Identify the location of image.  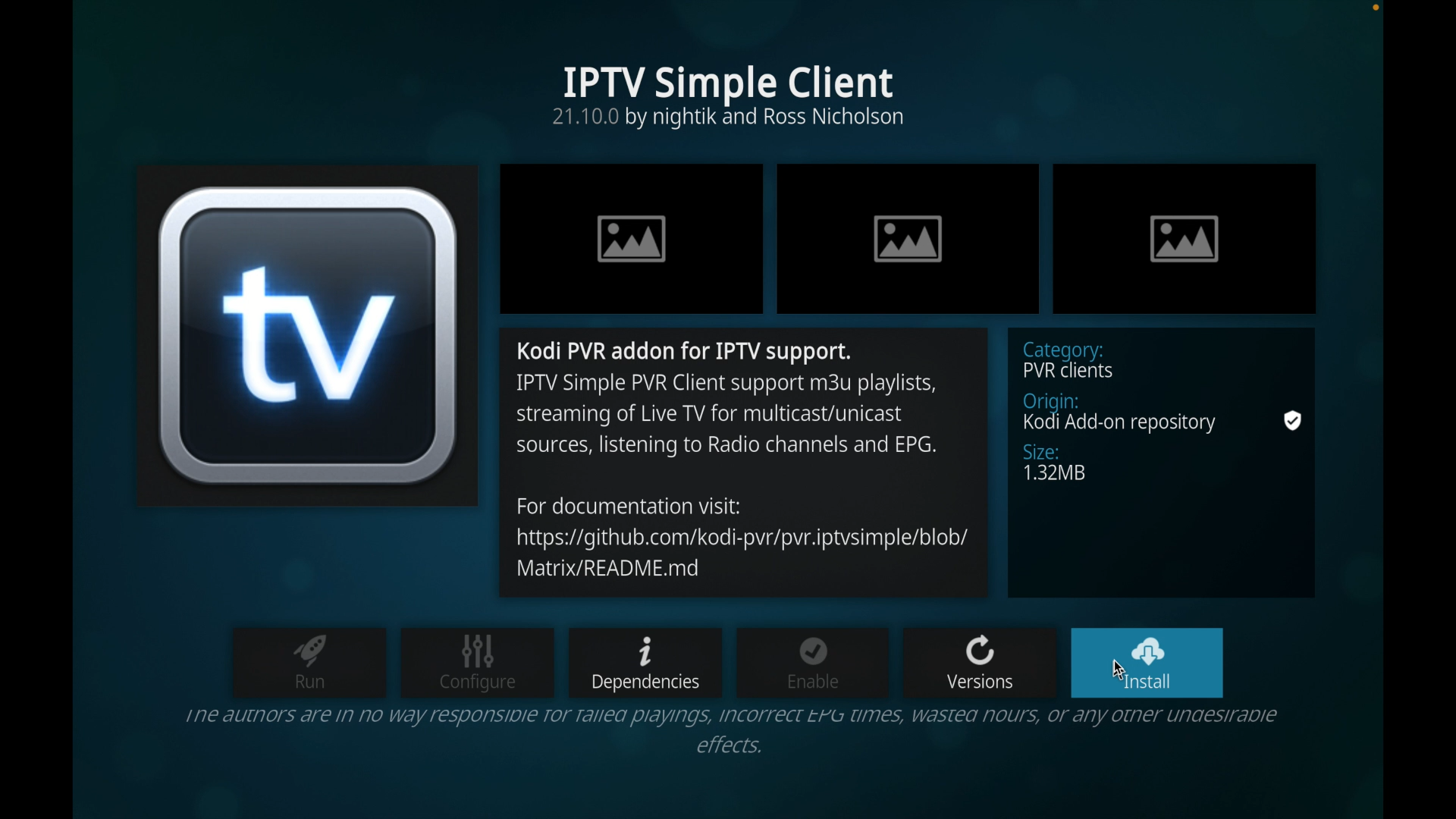
(1183, 239).